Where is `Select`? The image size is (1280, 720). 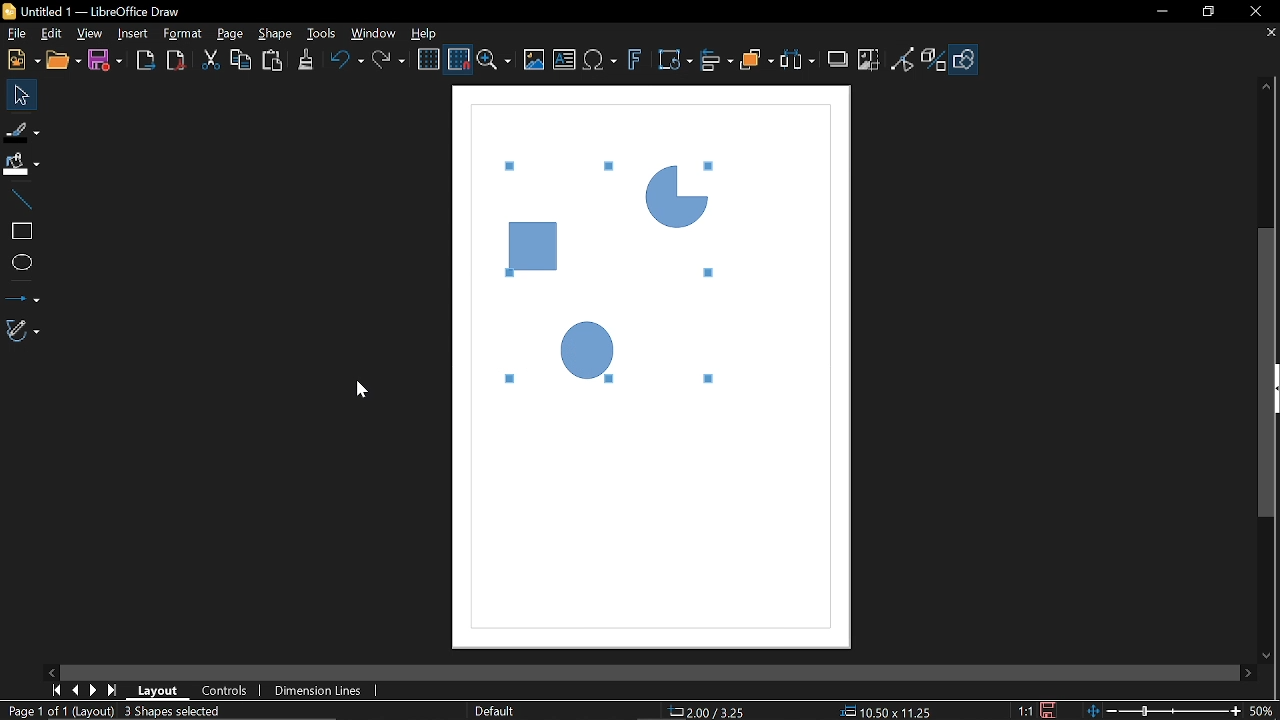
Select is located at coordinates (21, 95).